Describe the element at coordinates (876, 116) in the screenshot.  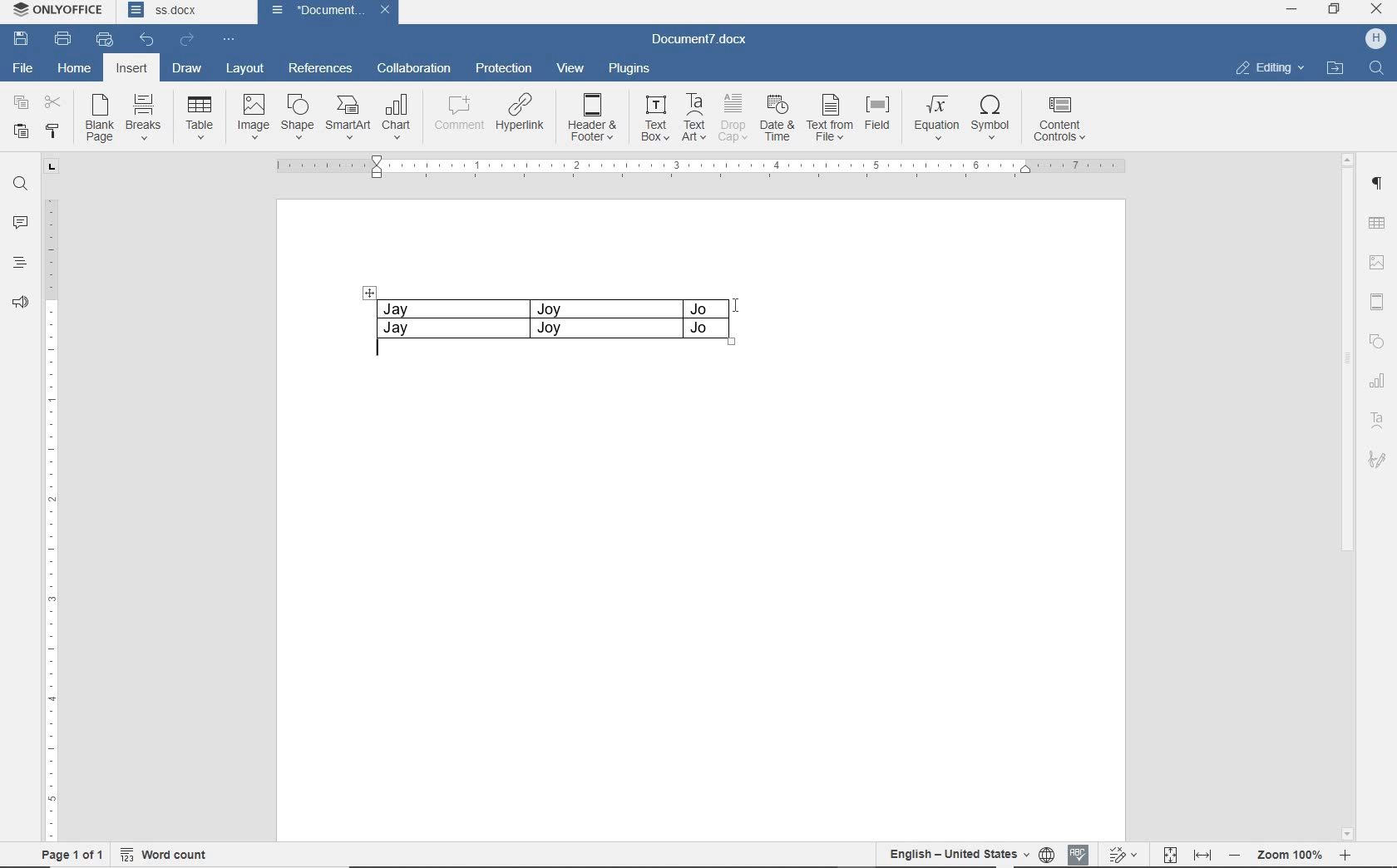
I see `FIELD` at that location.